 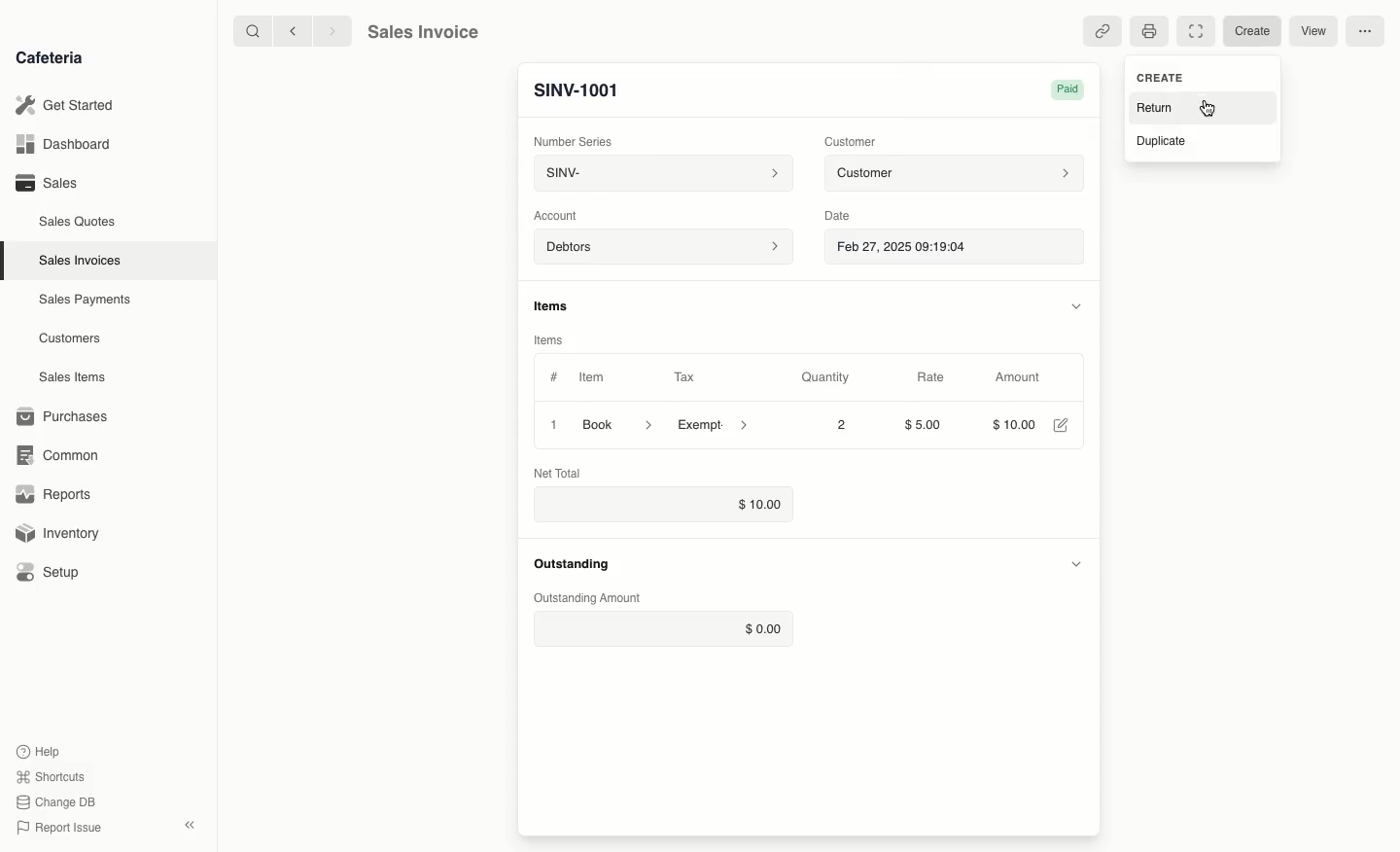 What do you see at coordinates (1314, 32) in the screenshot?
I see `view` at bounding box center [1314, 32].